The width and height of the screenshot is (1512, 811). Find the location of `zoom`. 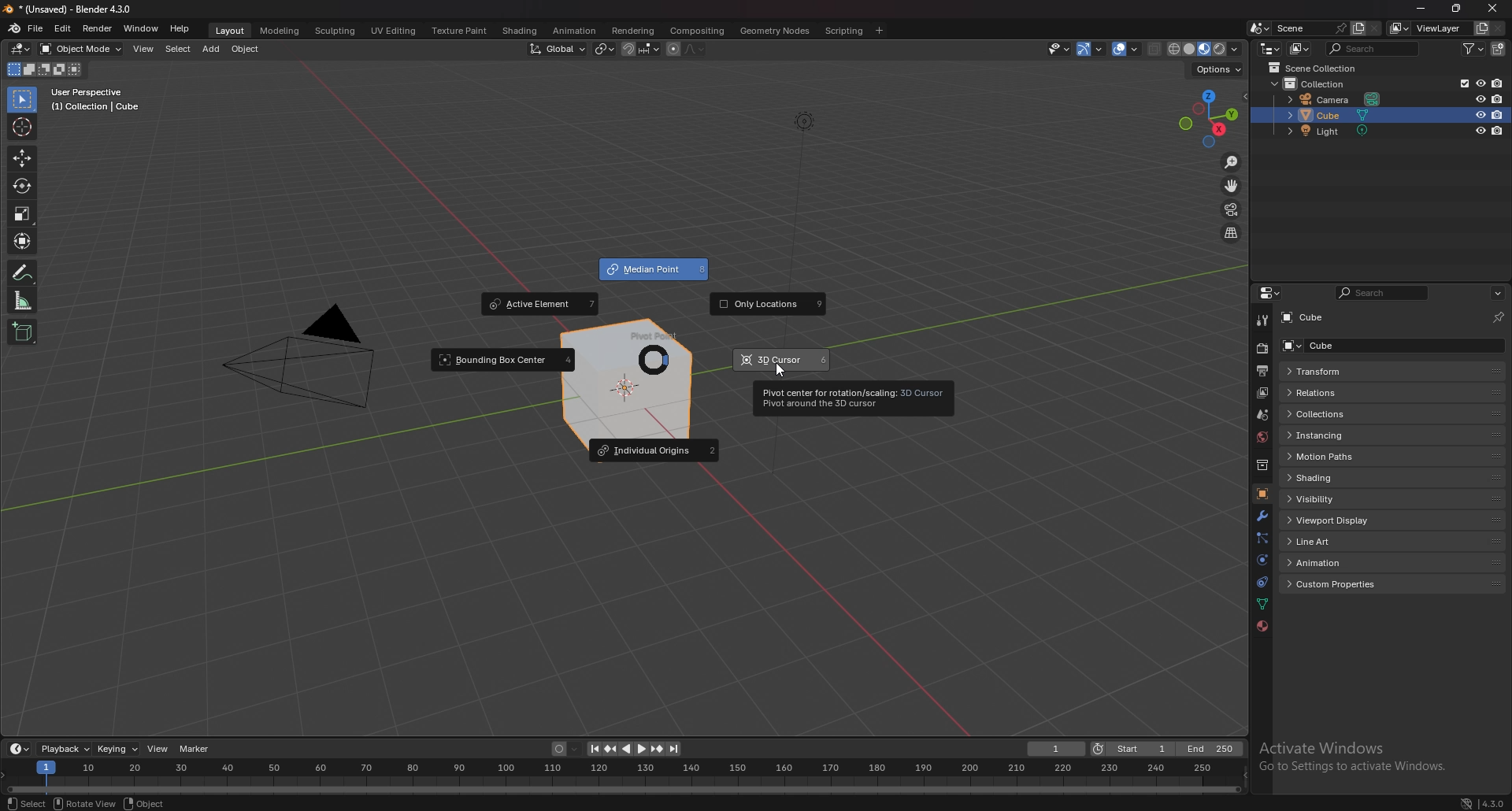

zoom is located at coordinates (1232, 162).